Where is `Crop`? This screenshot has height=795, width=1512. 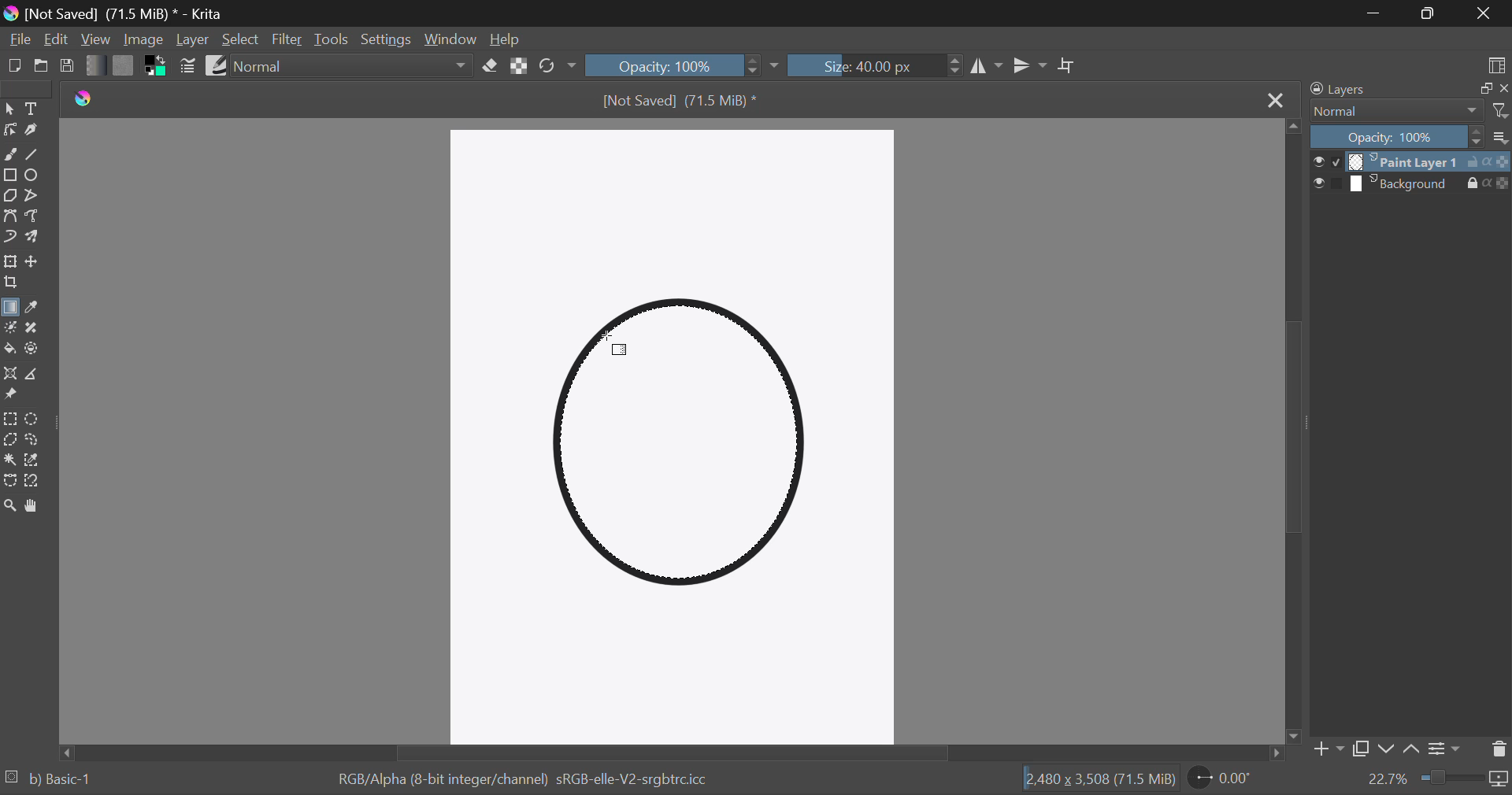
Crop is located at coordinates (11, 284).